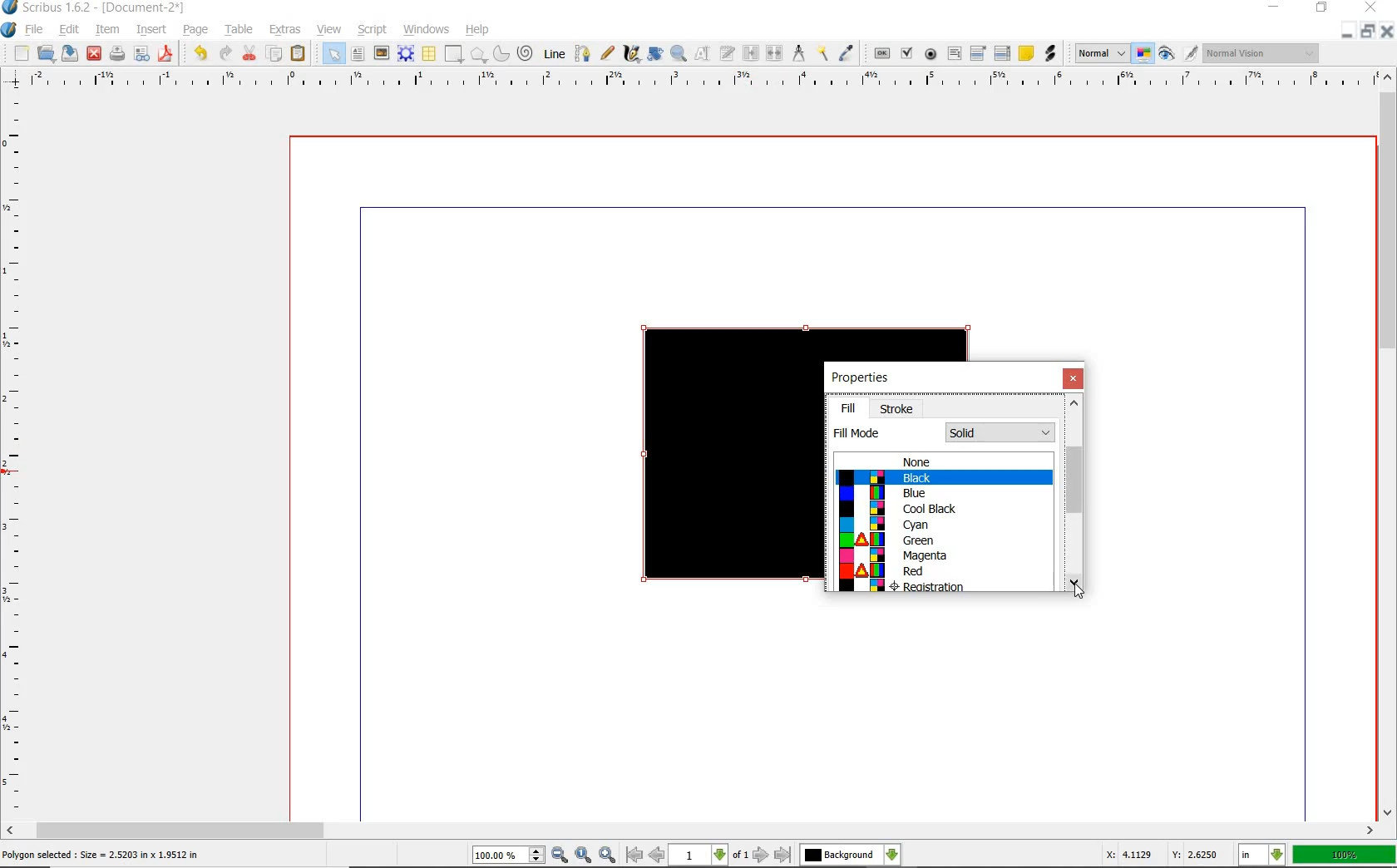 The height and width of the screenshot is (868, 1397). Describe the element at coordinates (631, 54) in the screenshot. I see `calligraphic line` at that location.